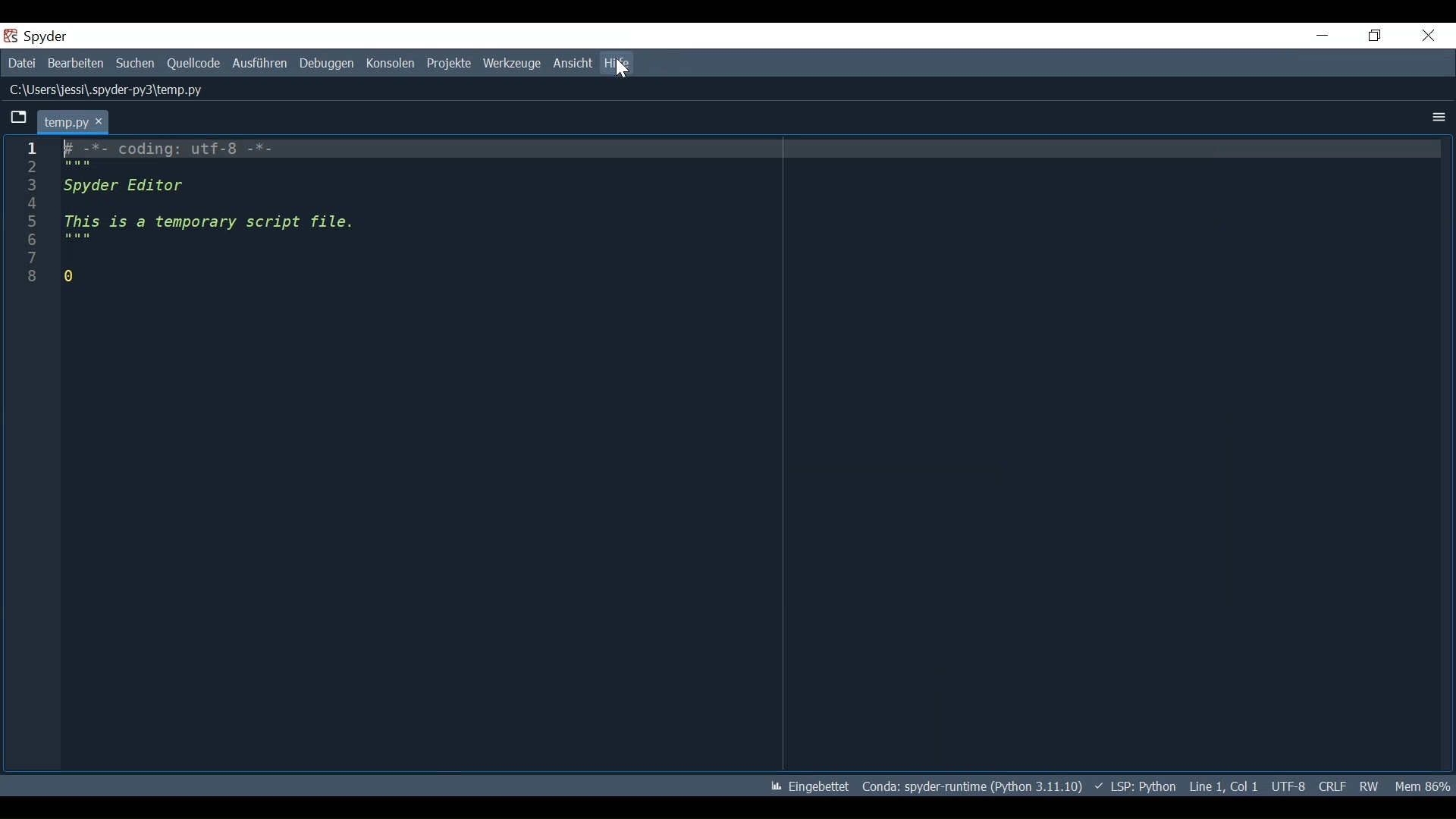 This screenshot has height=819, width=1456. I want to click on Minimize, so click(1323, 35).